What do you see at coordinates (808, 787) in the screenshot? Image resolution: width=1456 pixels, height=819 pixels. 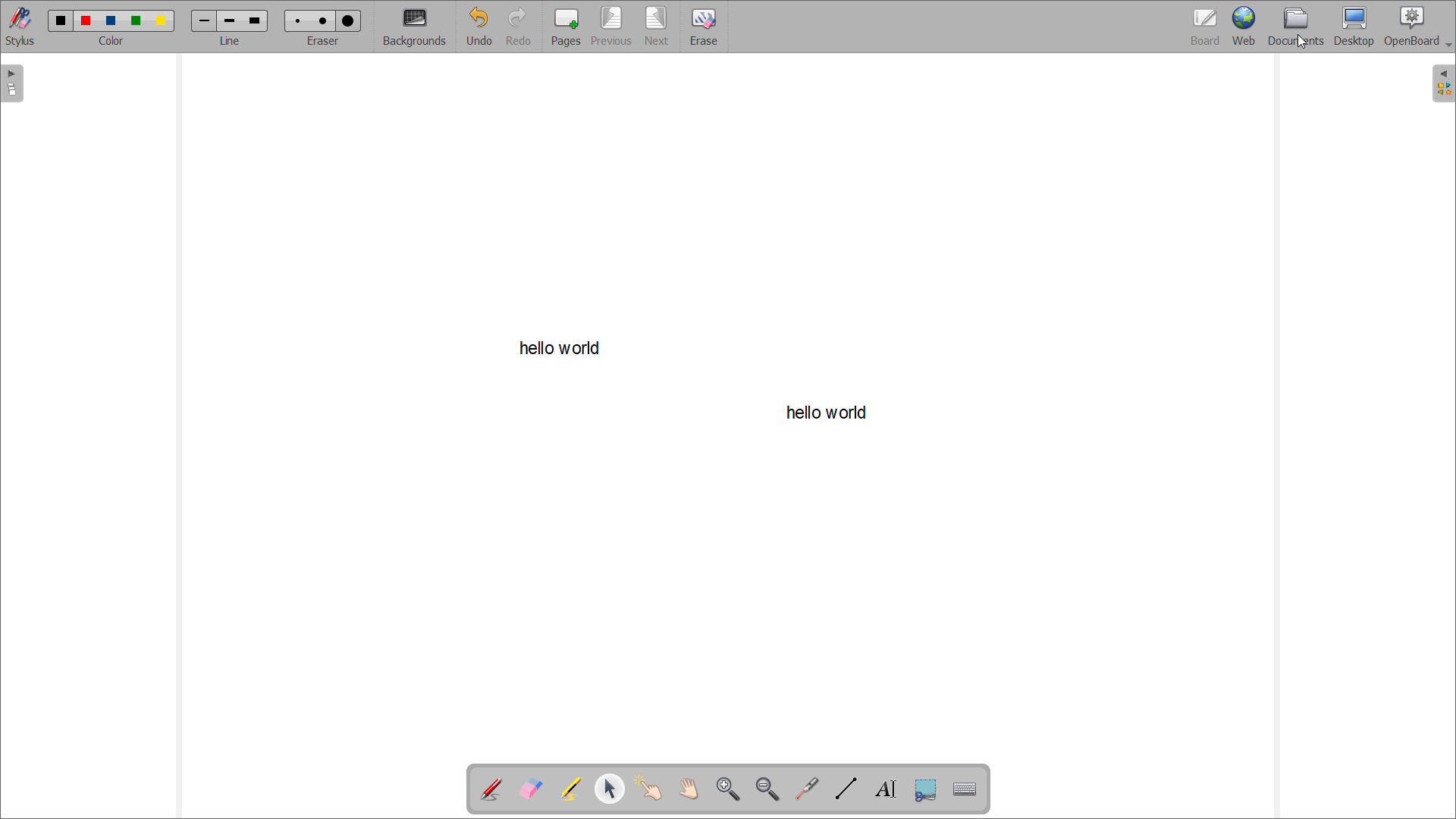 I see `virtual laser pointer` at bounding box center [808, 787].